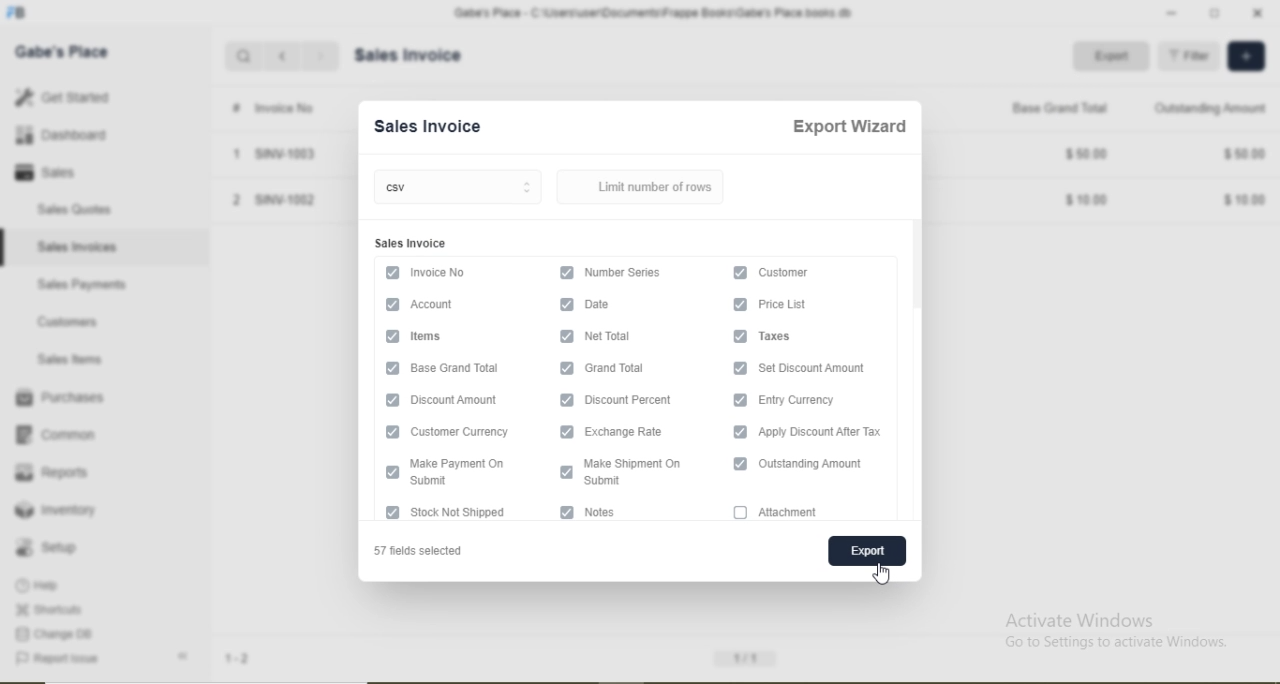 Image resolution: width=1280 pixels, height=684 pixels. What do you see at coordinates (431, 336) in the screenshot?
I see `Items` at bounding box center [431, 336].